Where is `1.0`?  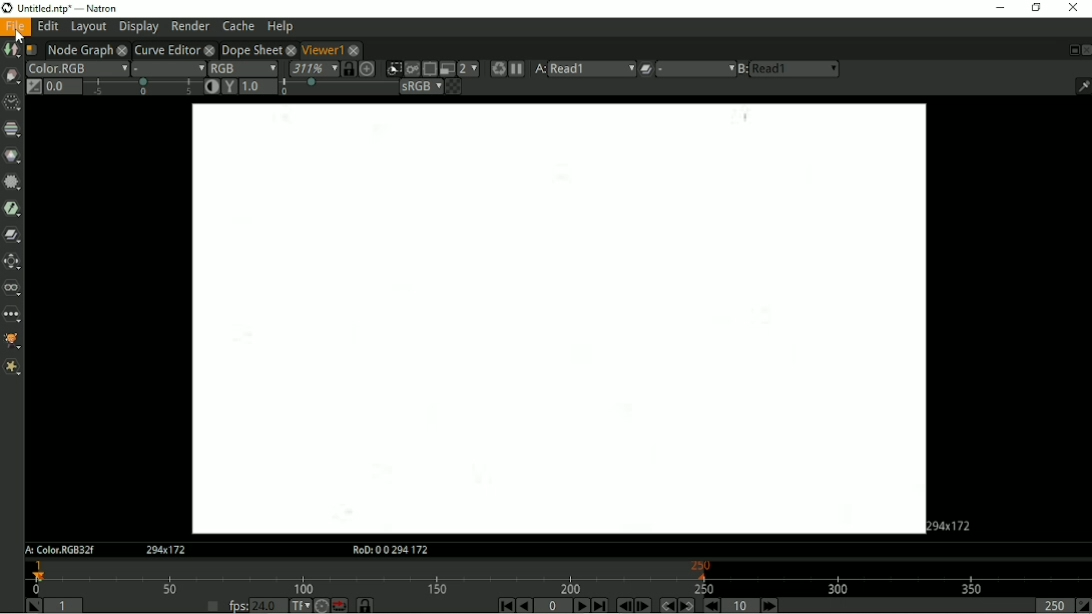
1.0 is located at coordinates (258, 86).